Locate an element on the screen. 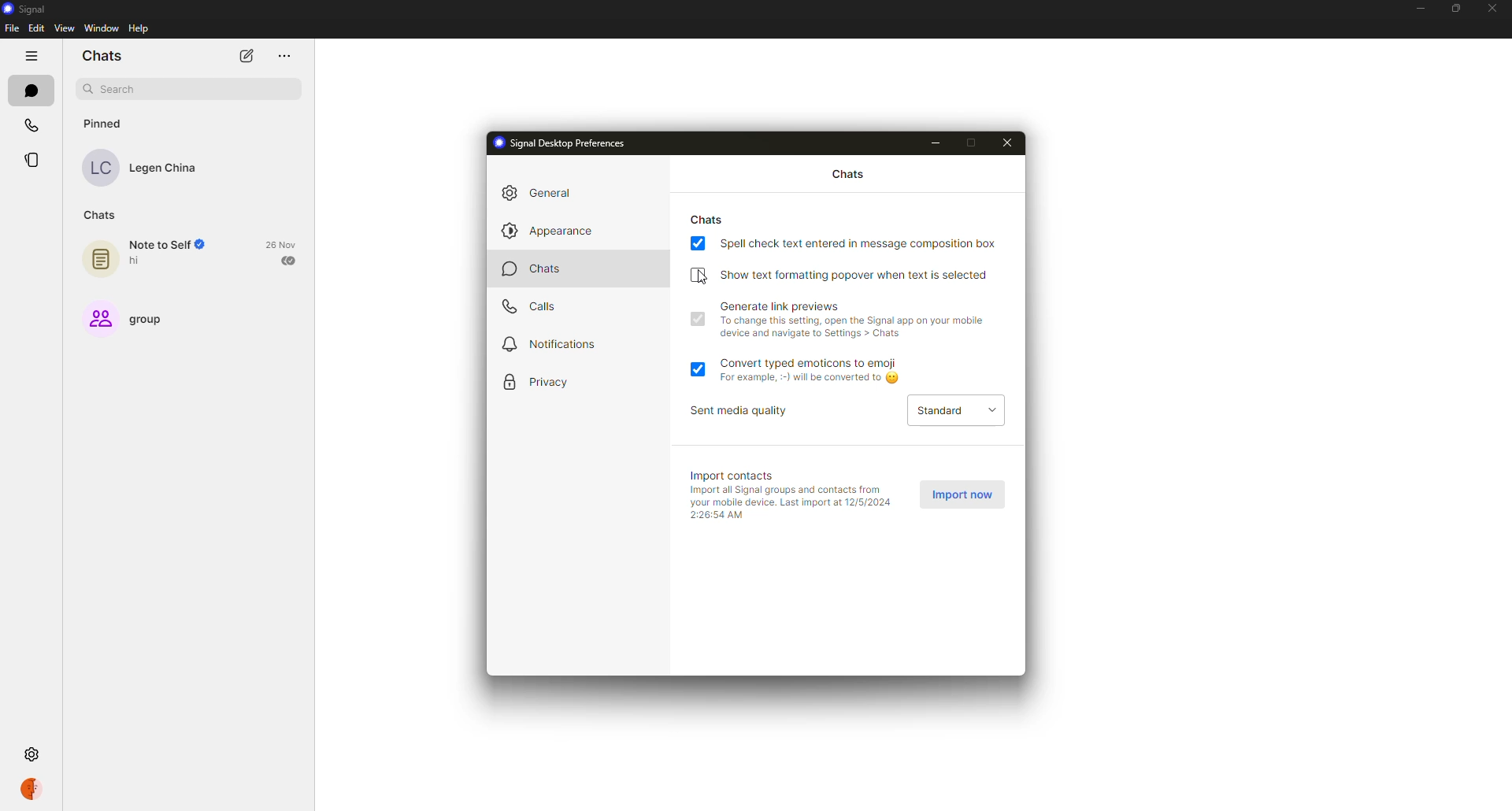  stories is located at coordinates (34, 160).